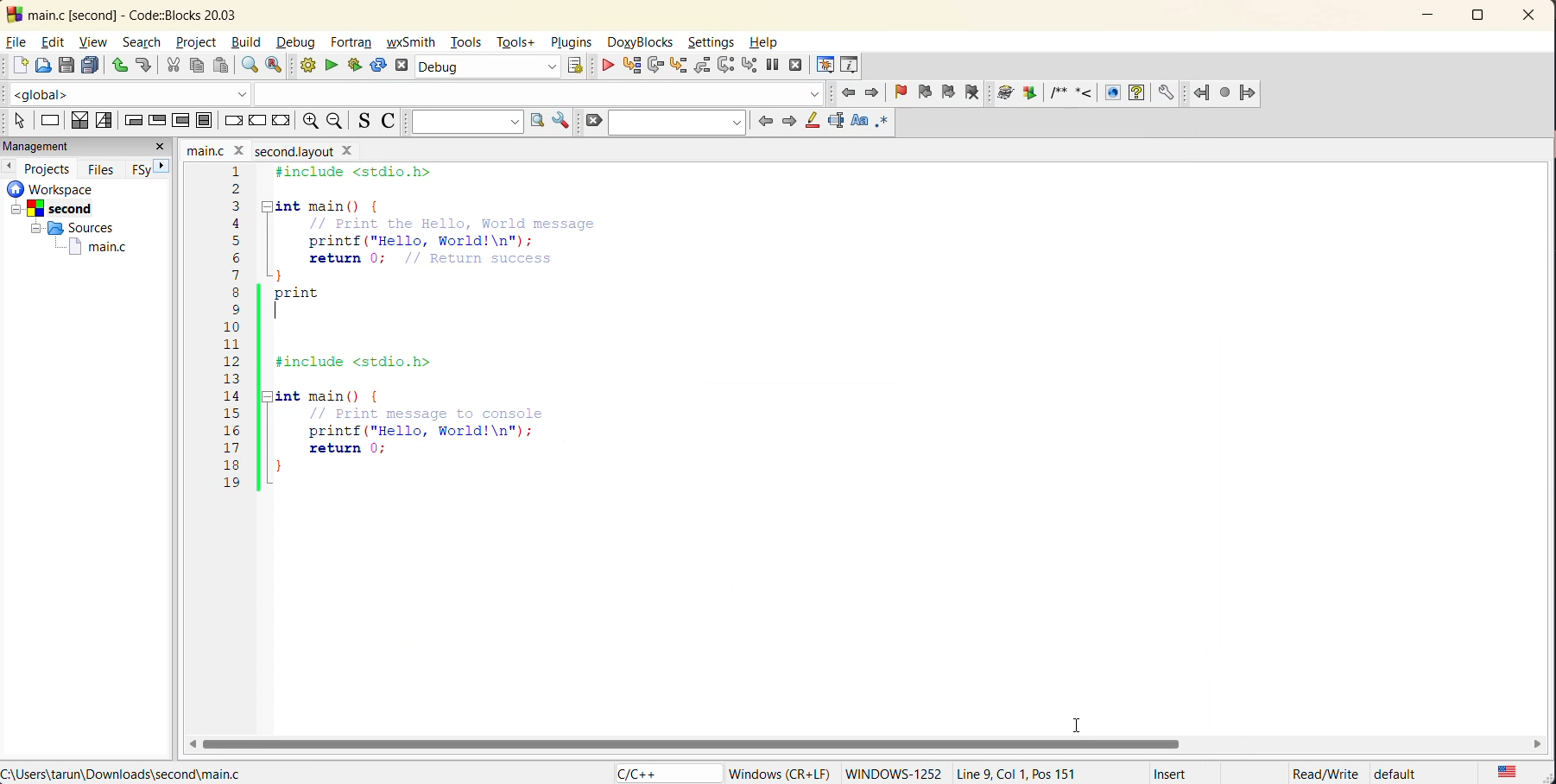 This screenshot has width=1556, height=784. What do you see at coordinates (161, 146) in the screenshot?
I see `close` at bounding box center [161, 146].